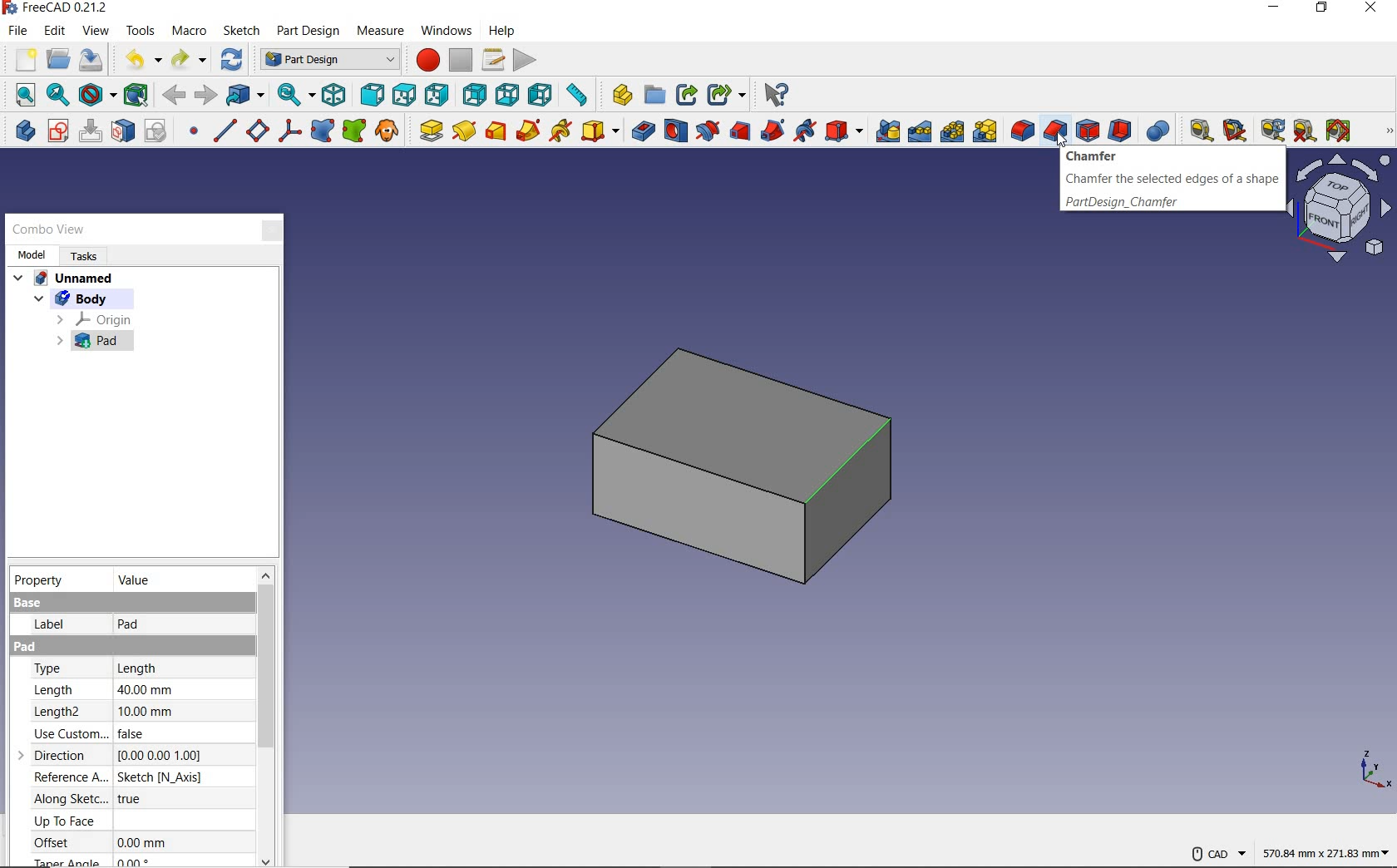  What do you see at coordinates (94, 341) in the screenshot?
I see `pad` at bounding box center [94, 341].